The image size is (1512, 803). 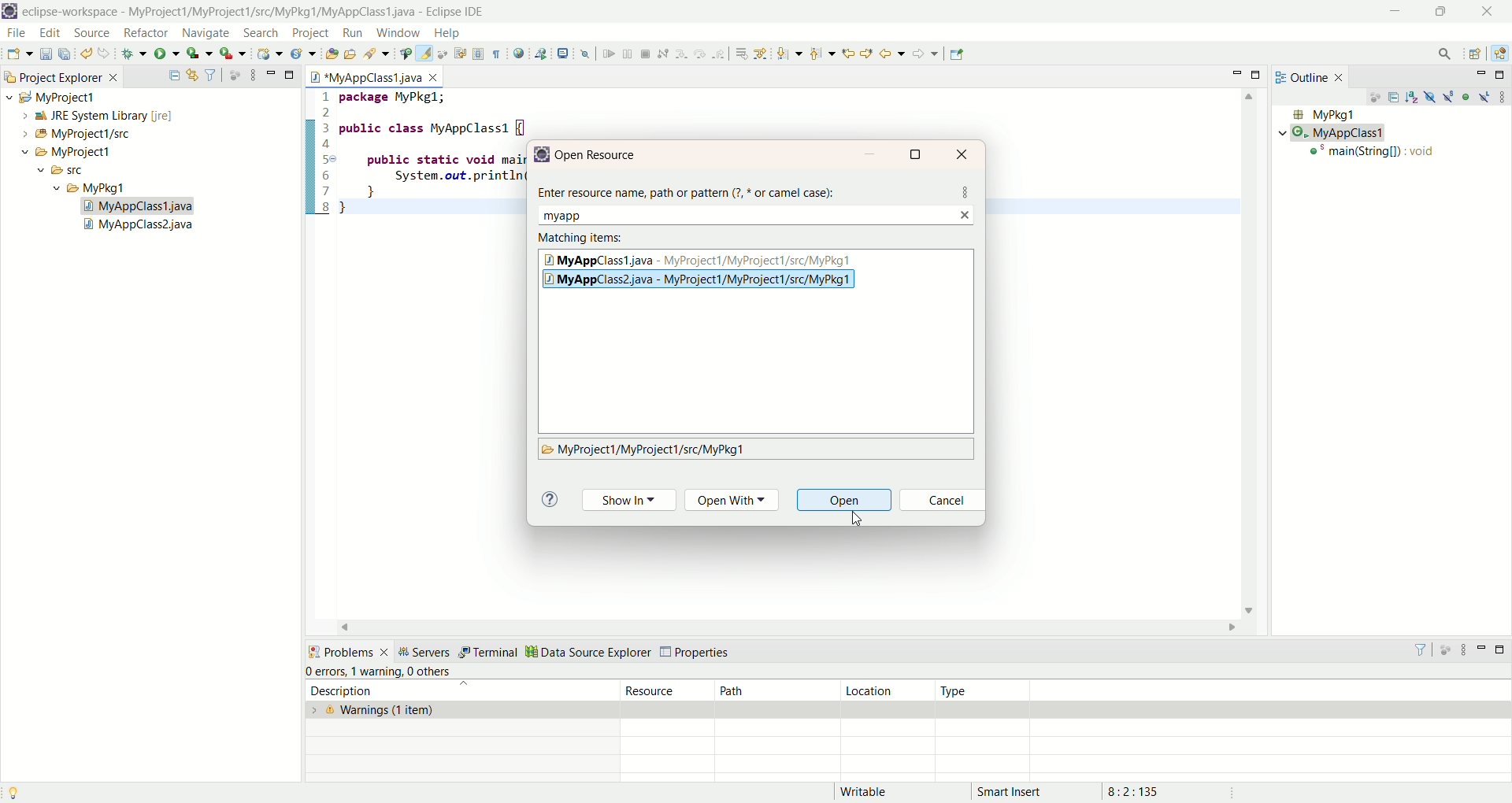 I want to click on J MyAppClass1.java - MyProject1/MyProject1/src/MyPkg1, so click(x=701, y=259).